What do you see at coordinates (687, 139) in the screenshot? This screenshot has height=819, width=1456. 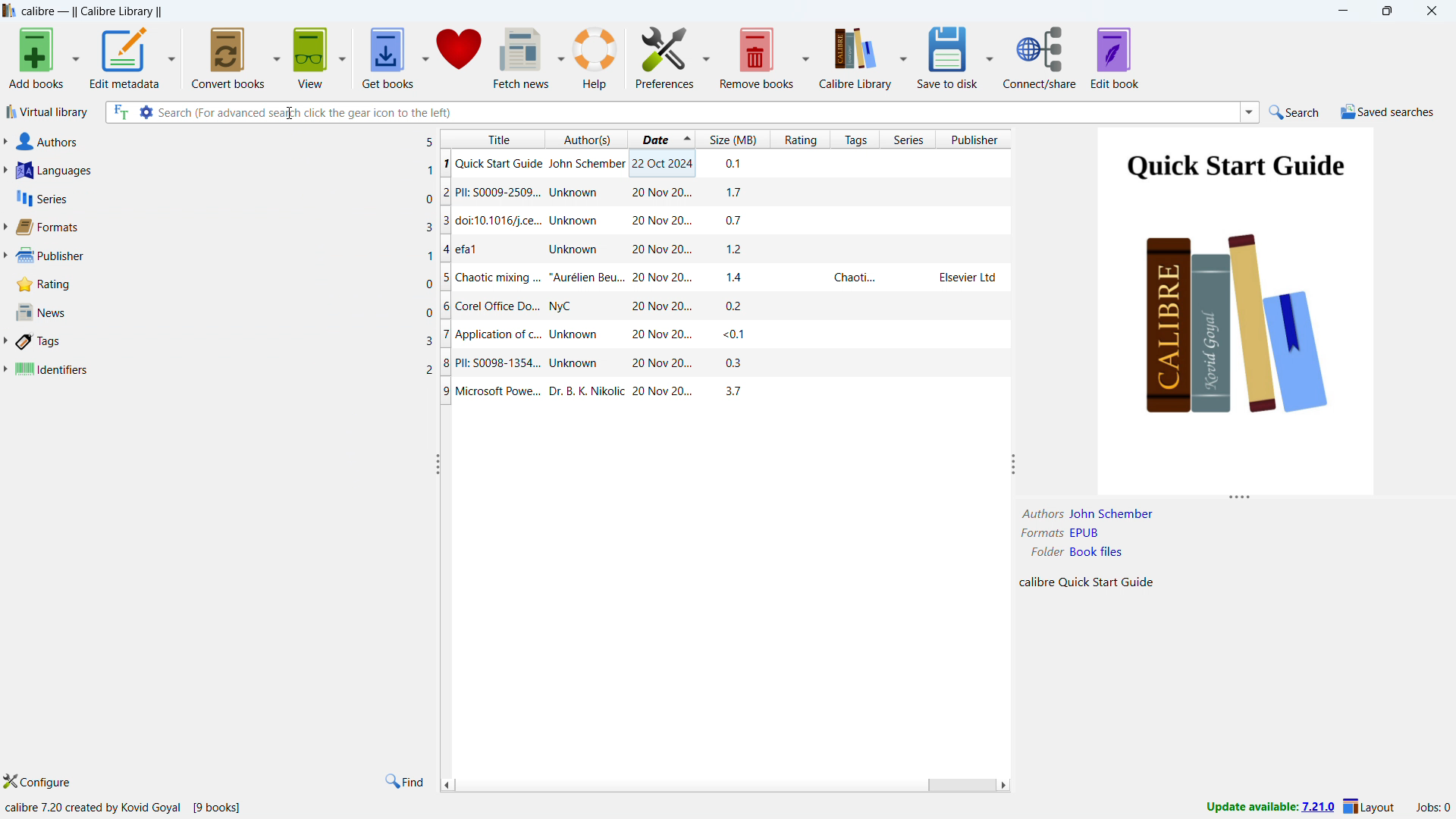 I see `select sorting order` at bounding box center [687, 139].